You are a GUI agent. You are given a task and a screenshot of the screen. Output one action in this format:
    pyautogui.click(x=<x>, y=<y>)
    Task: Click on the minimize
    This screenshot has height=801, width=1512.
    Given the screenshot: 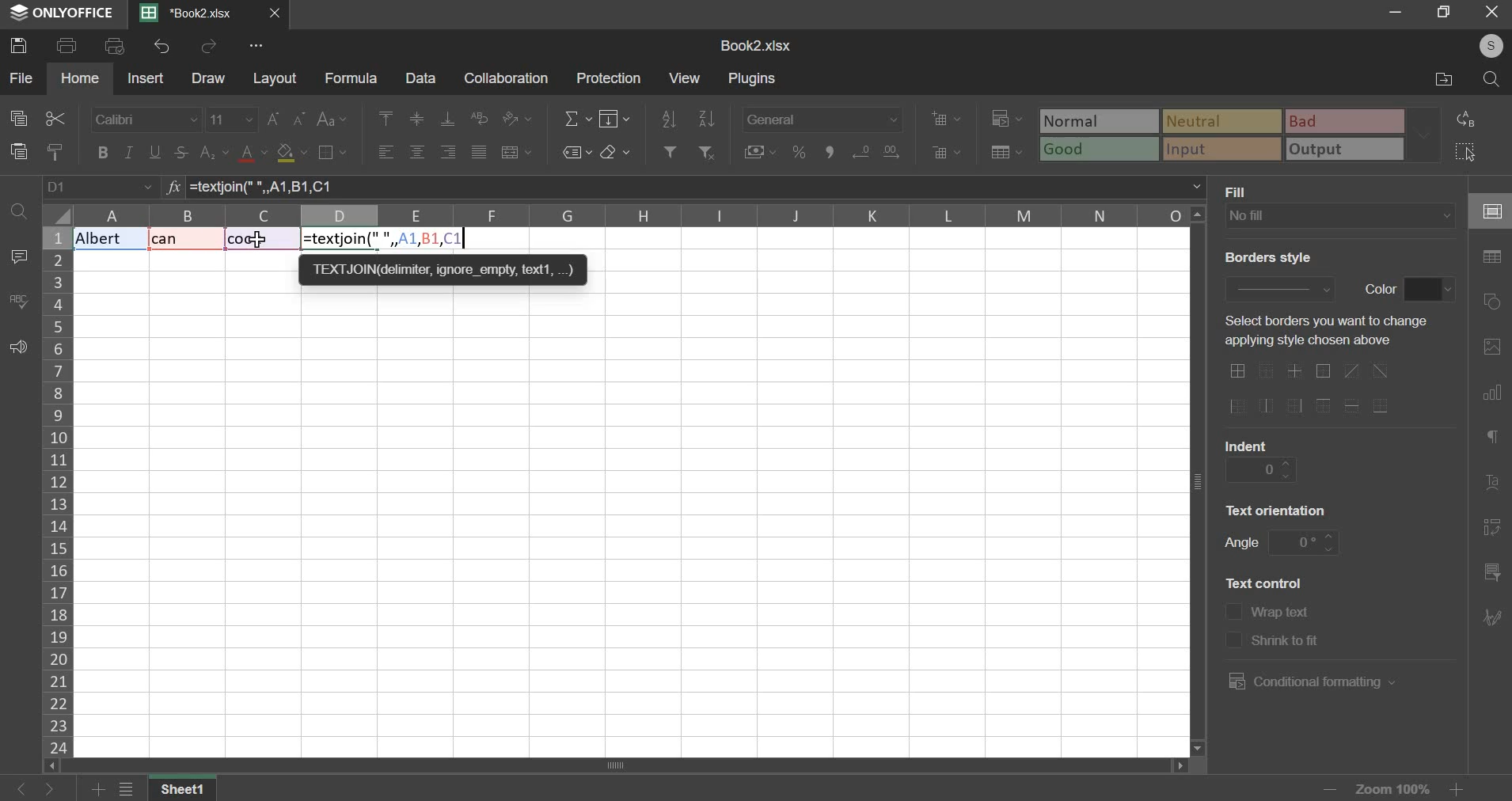 What is the action you would take?
    pyautogui.click(x=1388, y=13)
    